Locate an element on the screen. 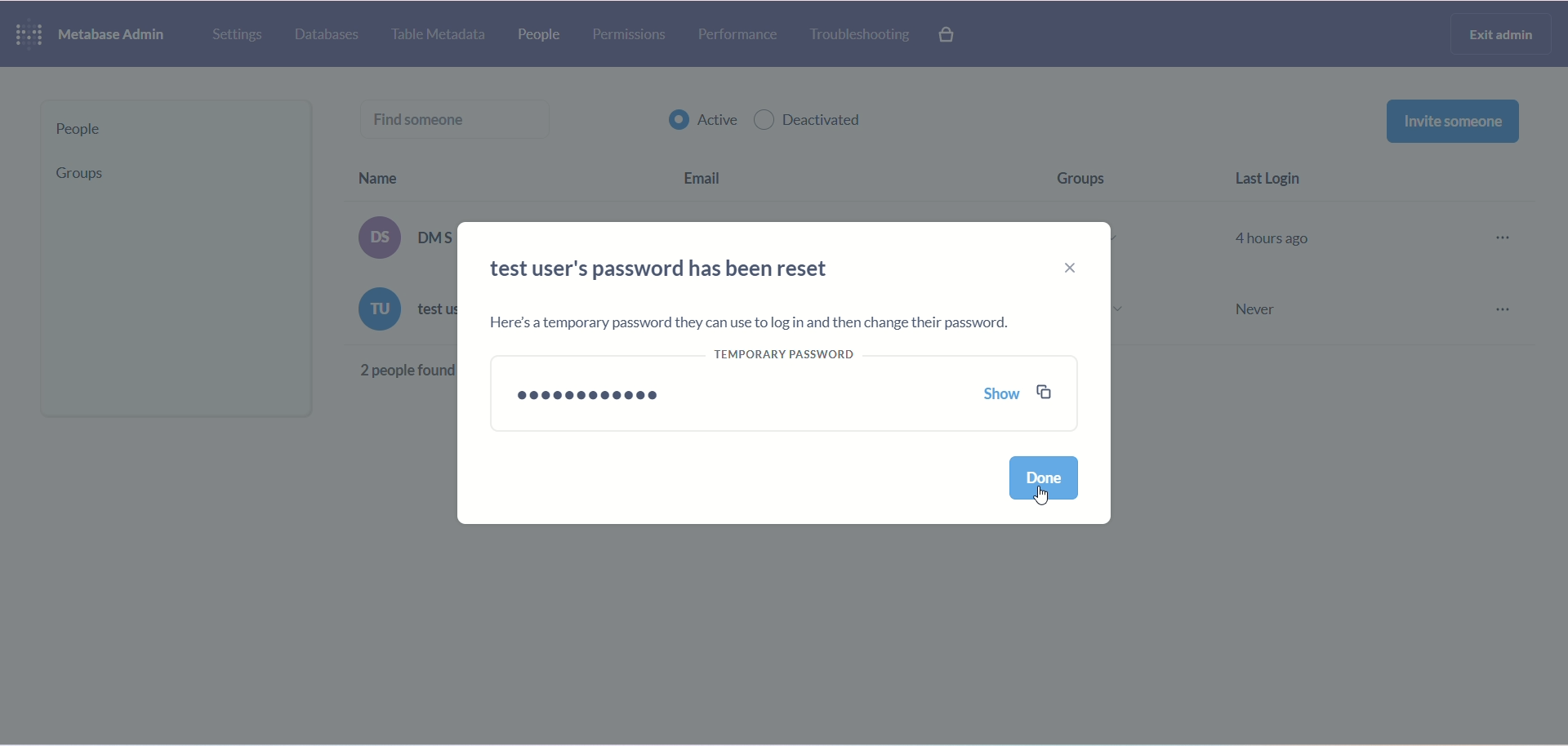  copy is located at coordinates (1047, 393).